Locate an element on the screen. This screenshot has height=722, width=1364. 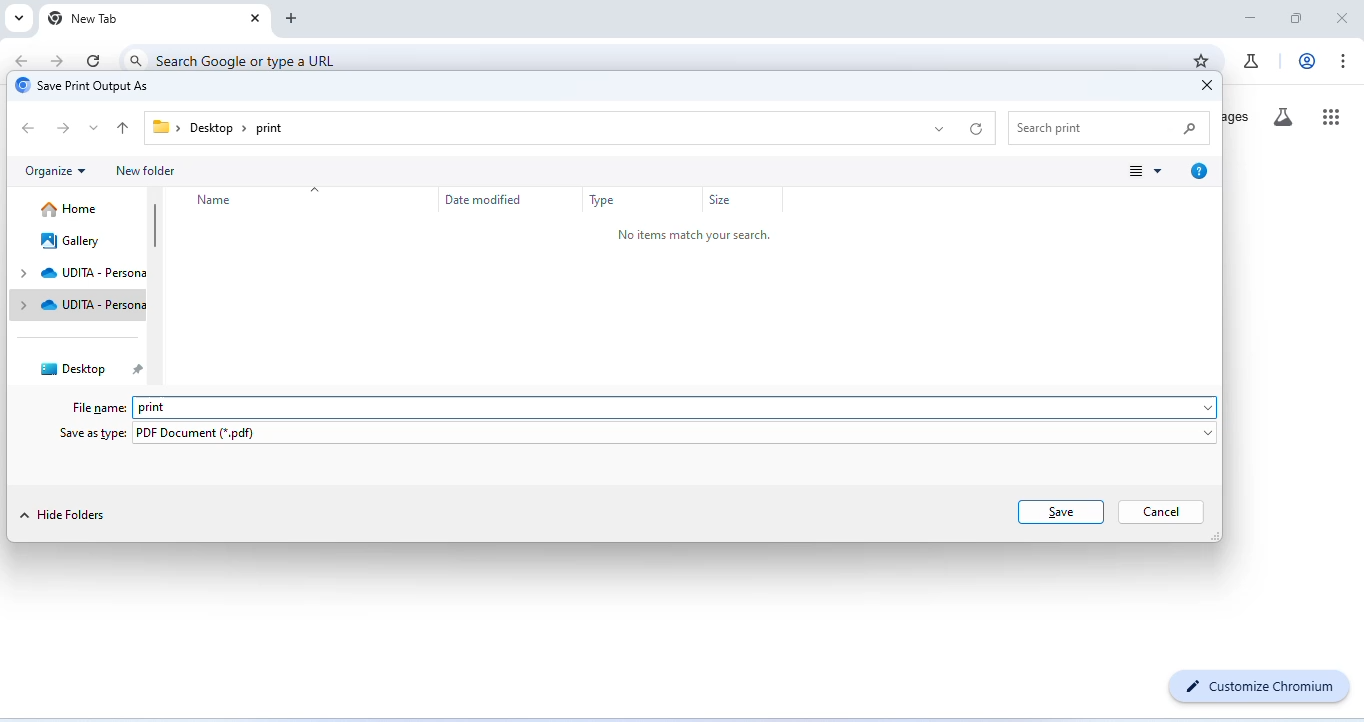
type is located at coordinates (605, 202).